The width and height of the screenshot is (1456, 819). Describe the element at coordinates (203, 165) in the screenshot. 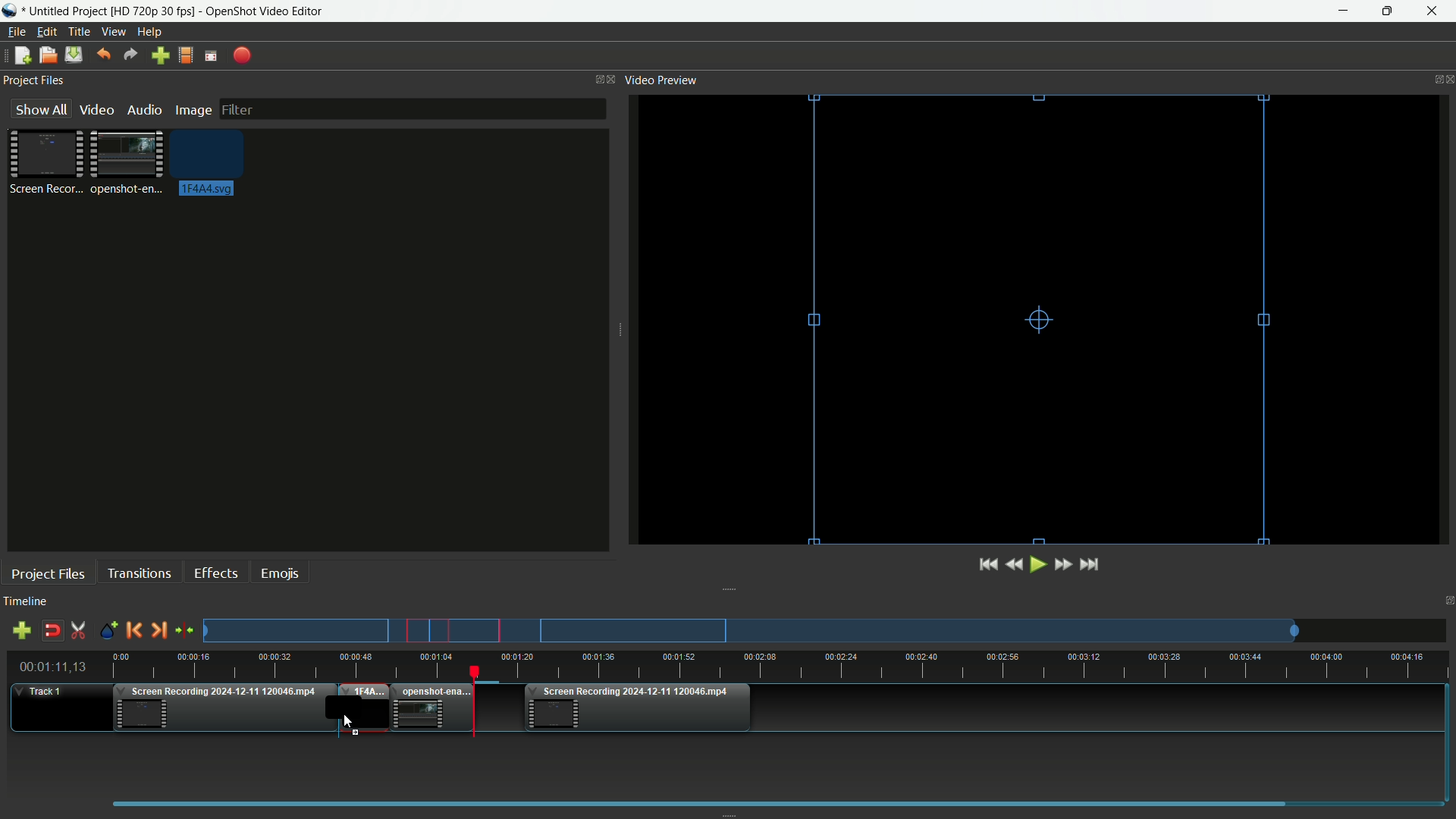

I see `Image for placeholder` at that location.